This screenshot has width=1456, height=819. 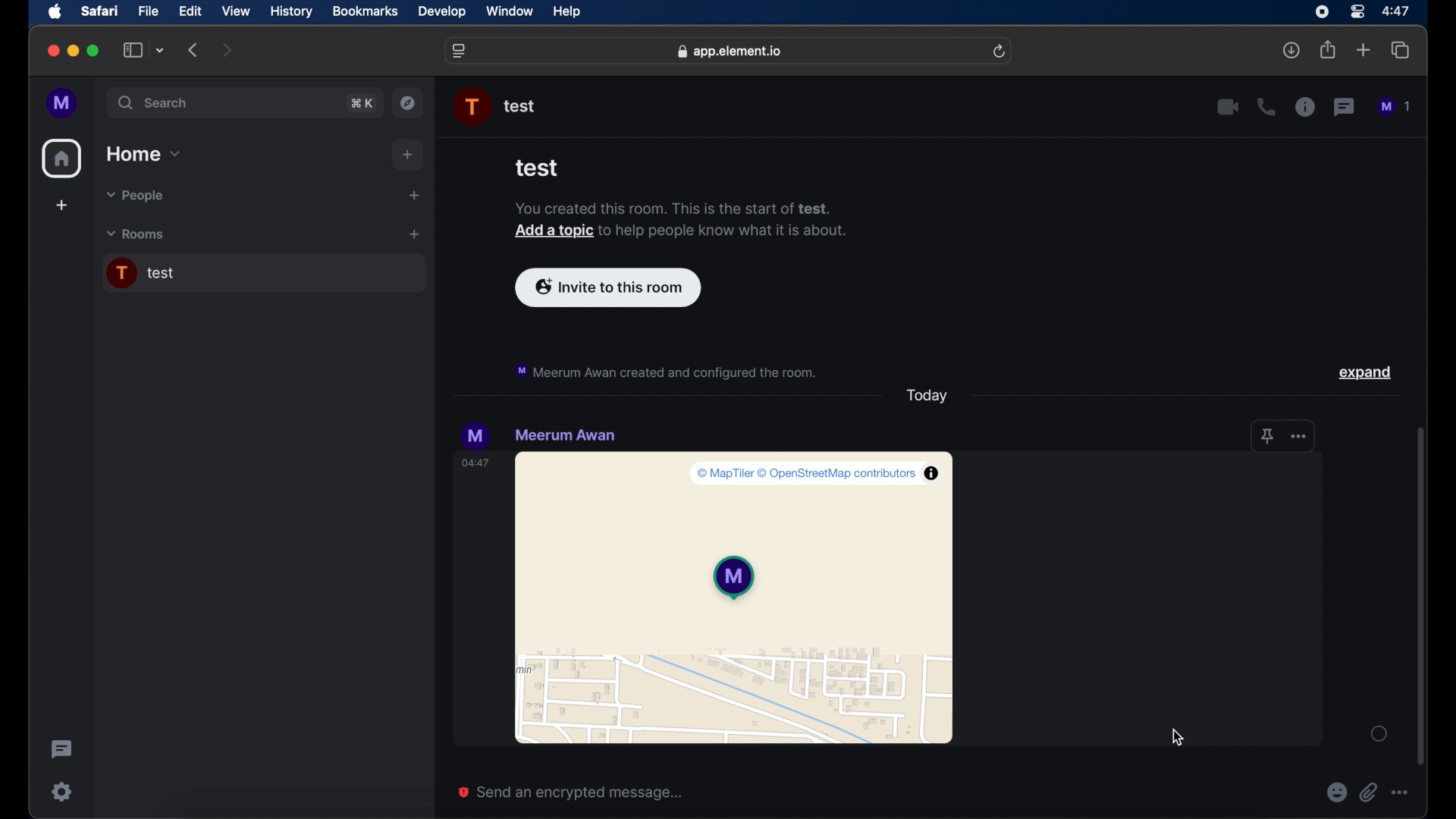 I want to click on profile picture, so click(x=477, y=435).